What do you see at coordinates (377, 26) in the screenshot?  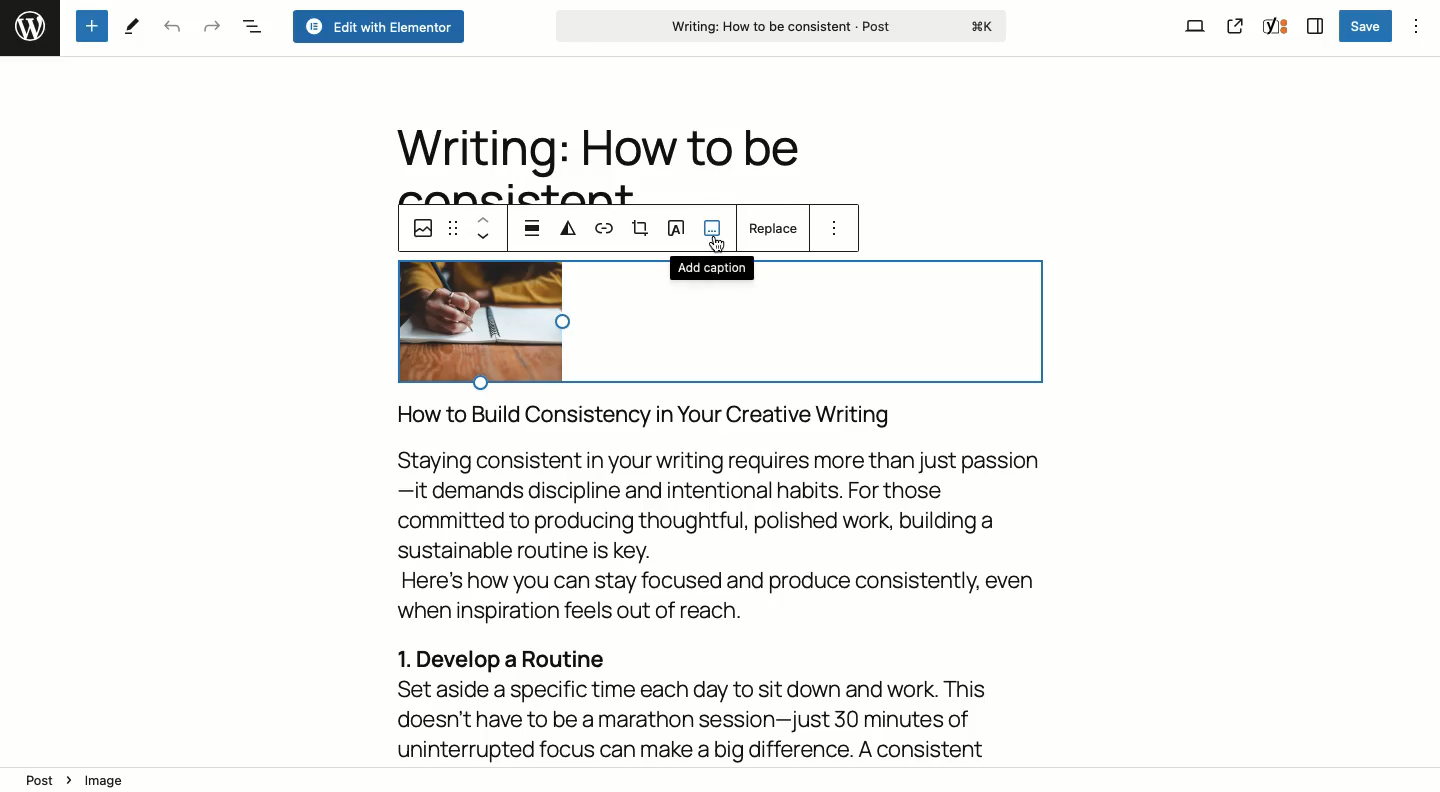 I see `Edit with elementor` at bounding box center [377, 26].